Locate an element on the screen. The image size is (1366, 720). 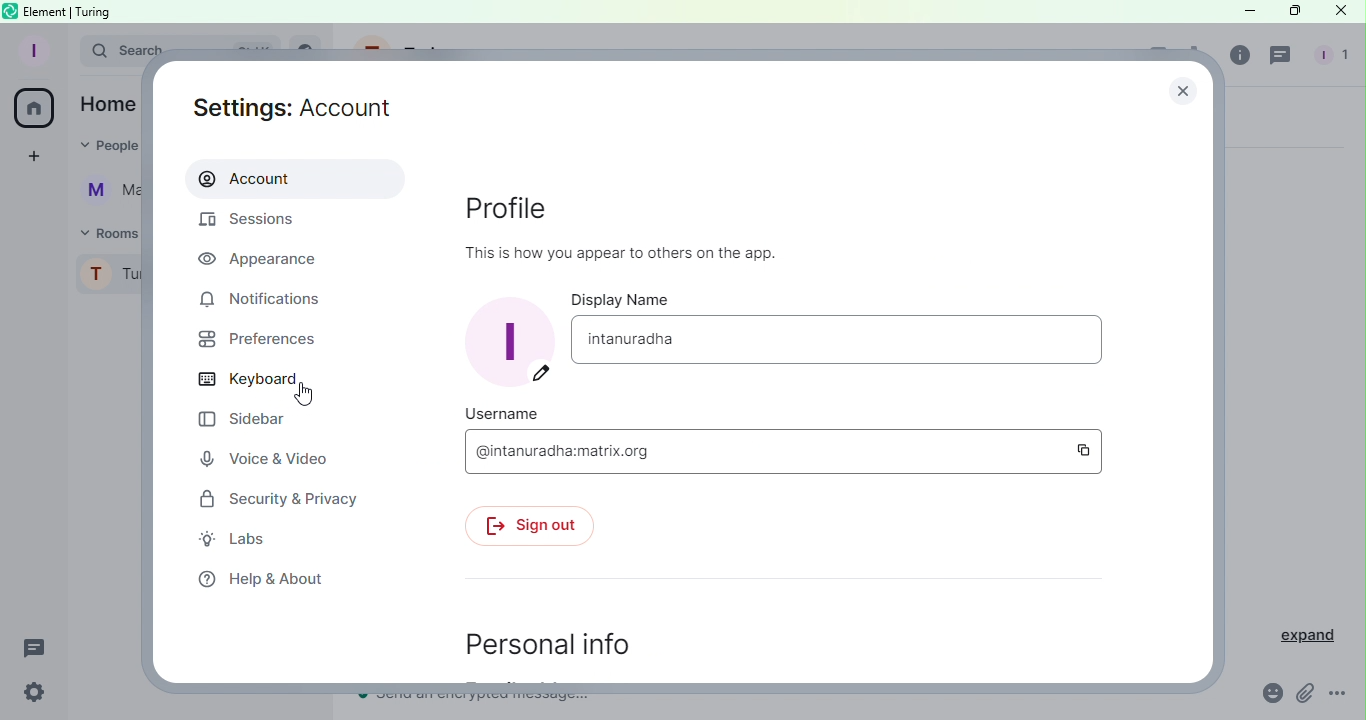
Sidebar is located at coordinates (239, 420).